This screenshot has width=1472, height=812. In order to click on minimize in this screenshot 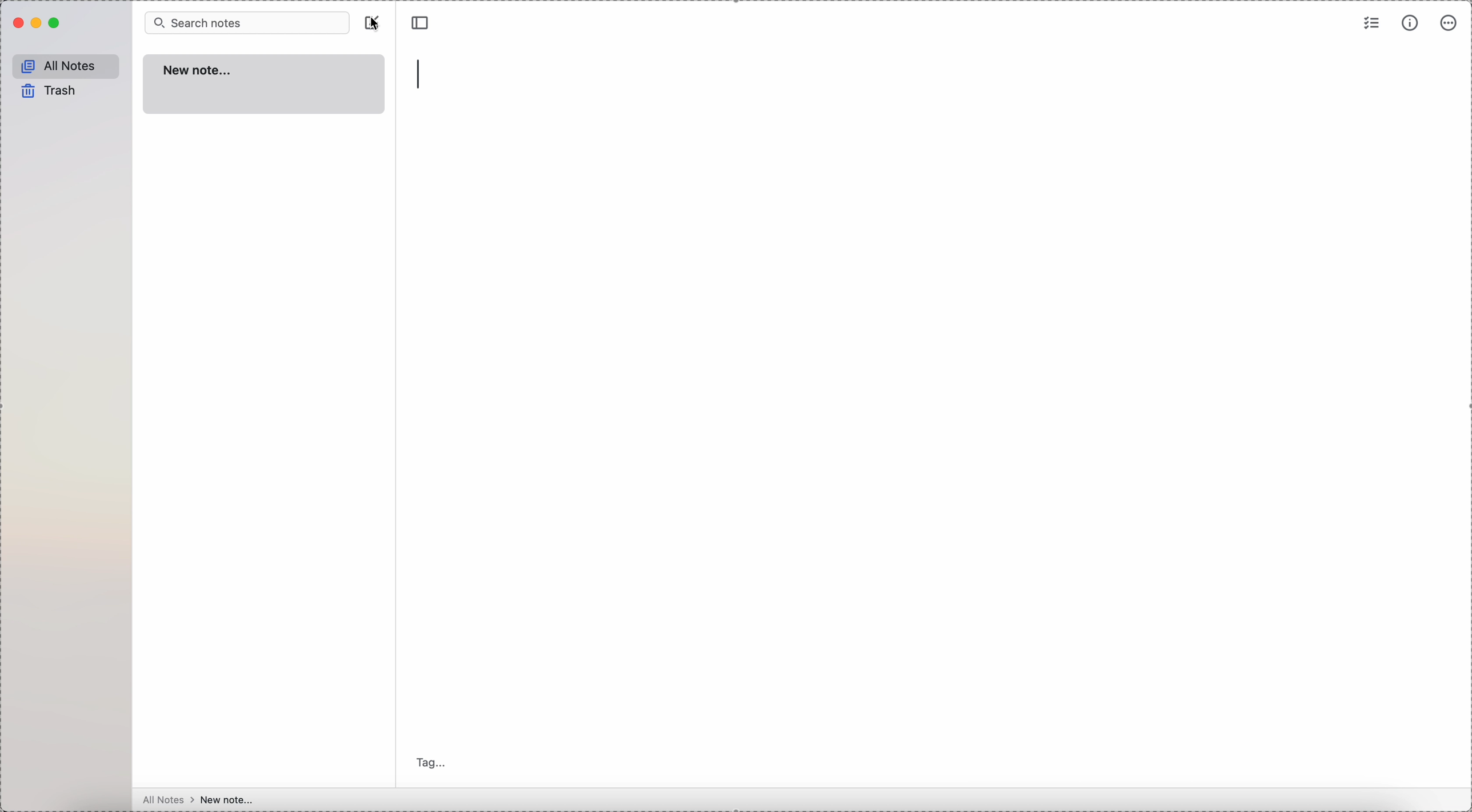, I will do `click(38, 24)`.